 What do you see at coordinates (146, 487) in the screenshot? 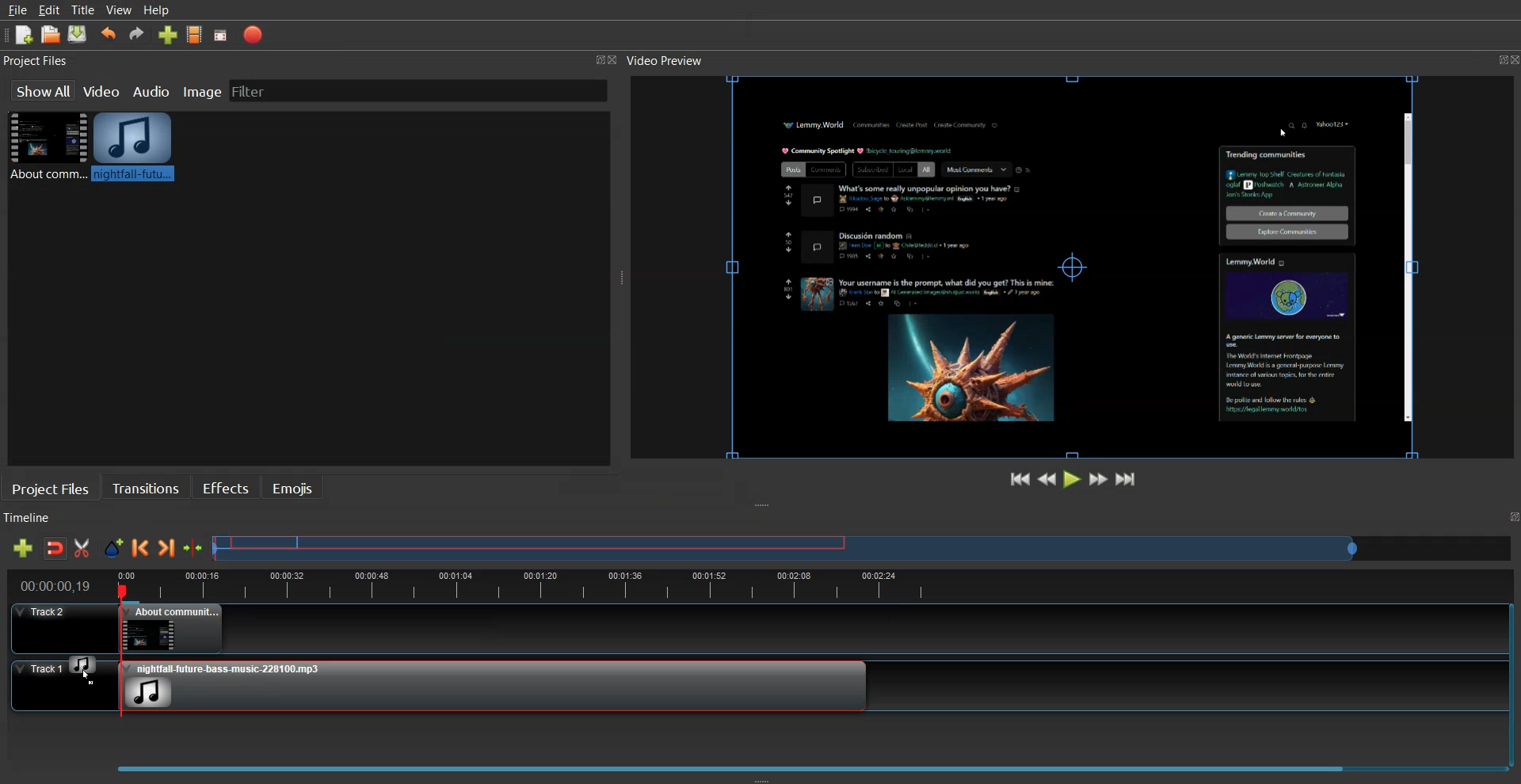
I see `Transition` at bounding box center [146, 487].